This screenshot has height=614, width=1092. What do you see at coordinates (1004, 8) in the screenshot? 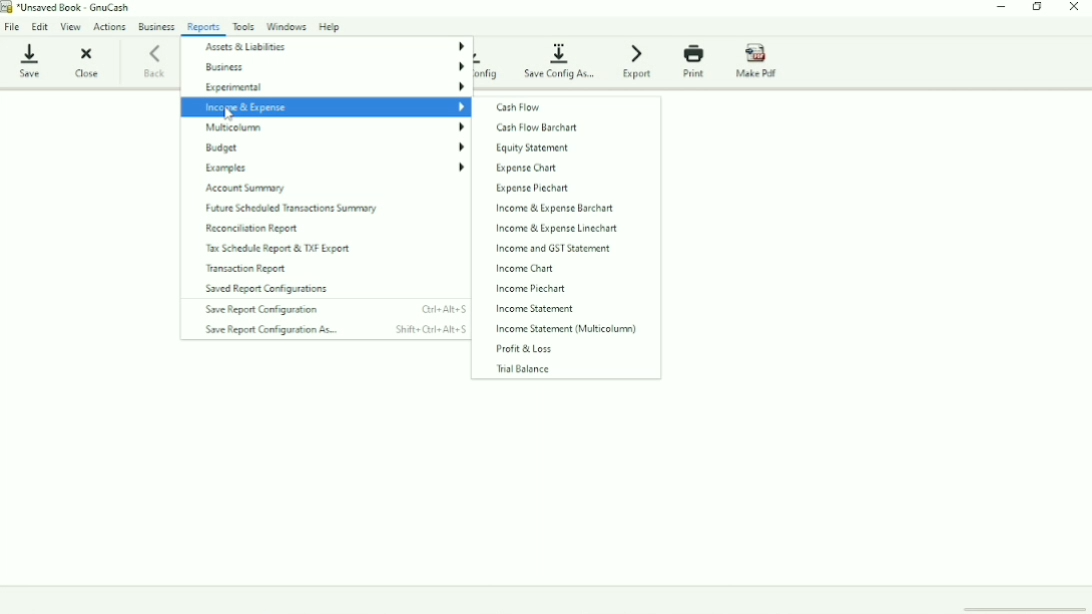
I see `Minimize` at bounding box center [1004, 8].